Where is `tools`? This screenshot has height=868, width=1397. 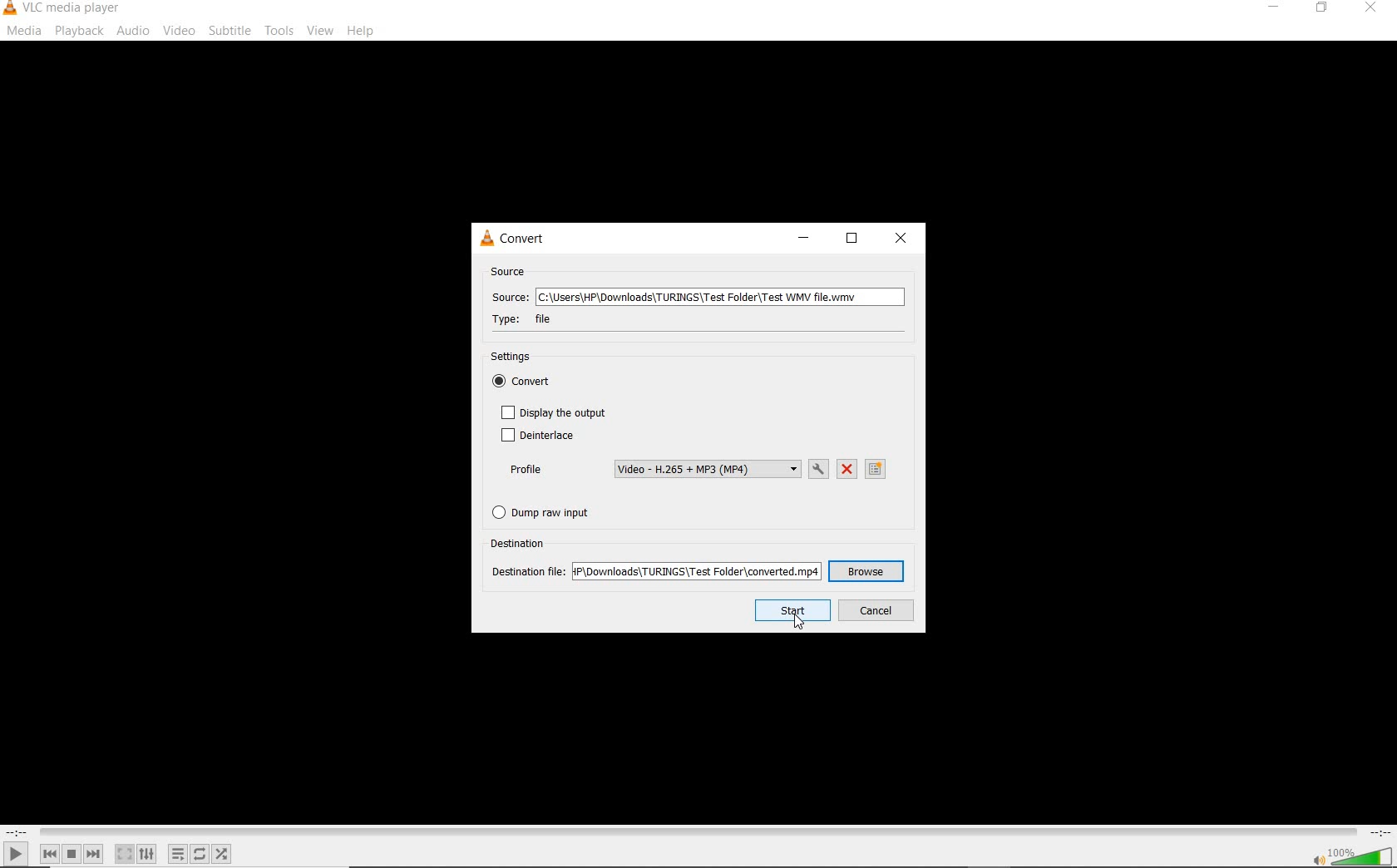
tools is located at coordinates (278, 28).